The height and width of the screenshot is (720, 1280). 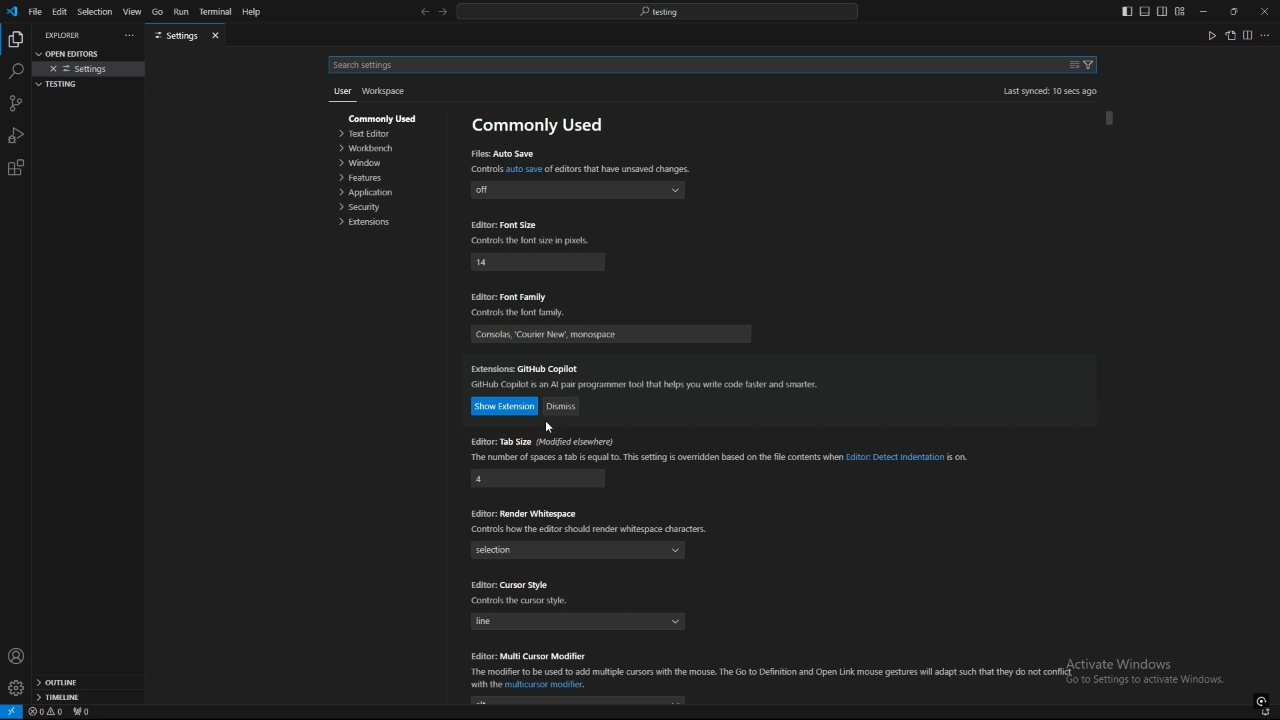 What do you see at coordinates (1233, 11) in the screenshot?
I see `resize` at bounding box center [1233, 11].